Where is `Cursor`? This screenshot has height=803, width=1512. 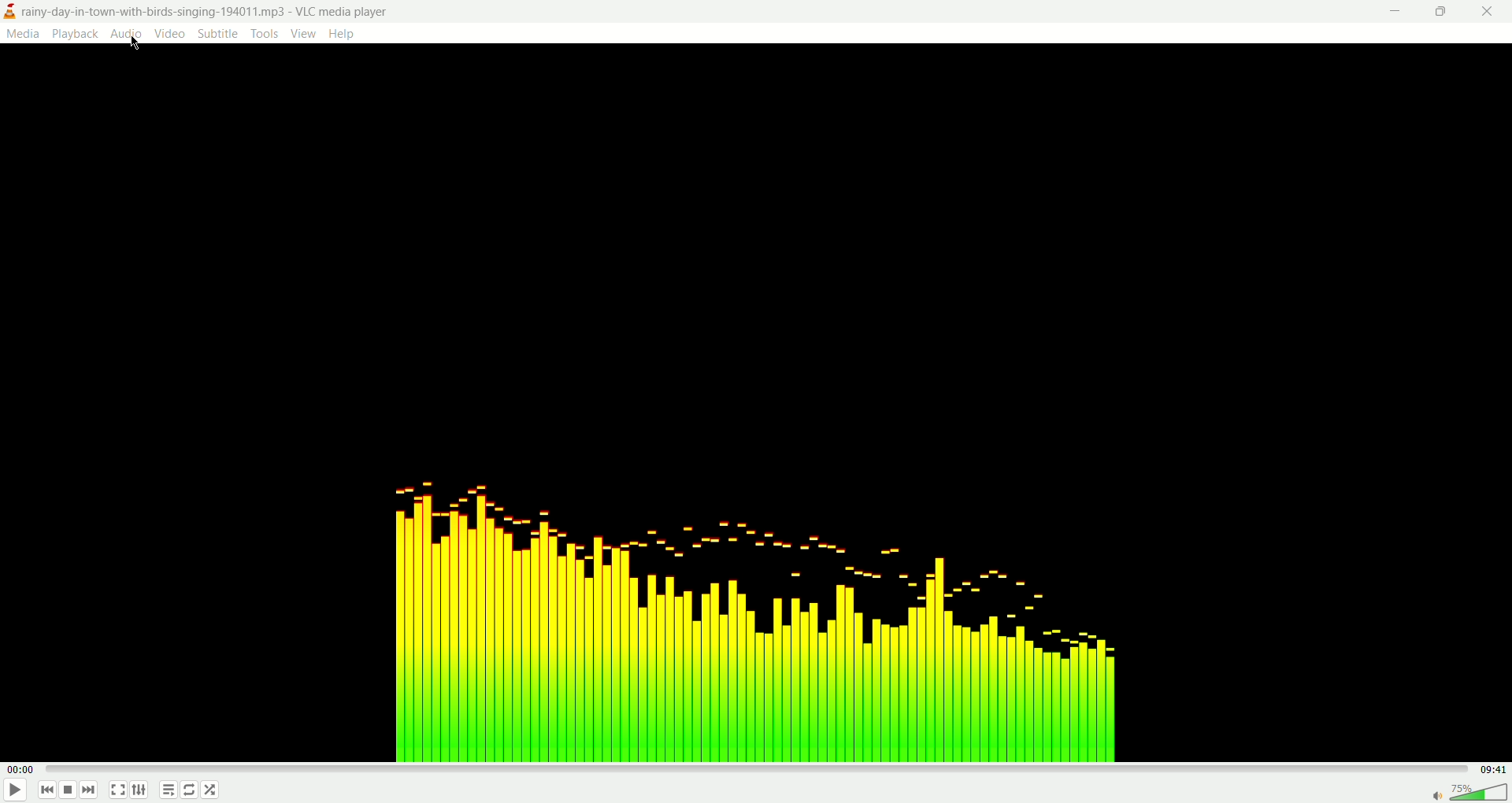 Cursor is located at coordinates (136, 43).